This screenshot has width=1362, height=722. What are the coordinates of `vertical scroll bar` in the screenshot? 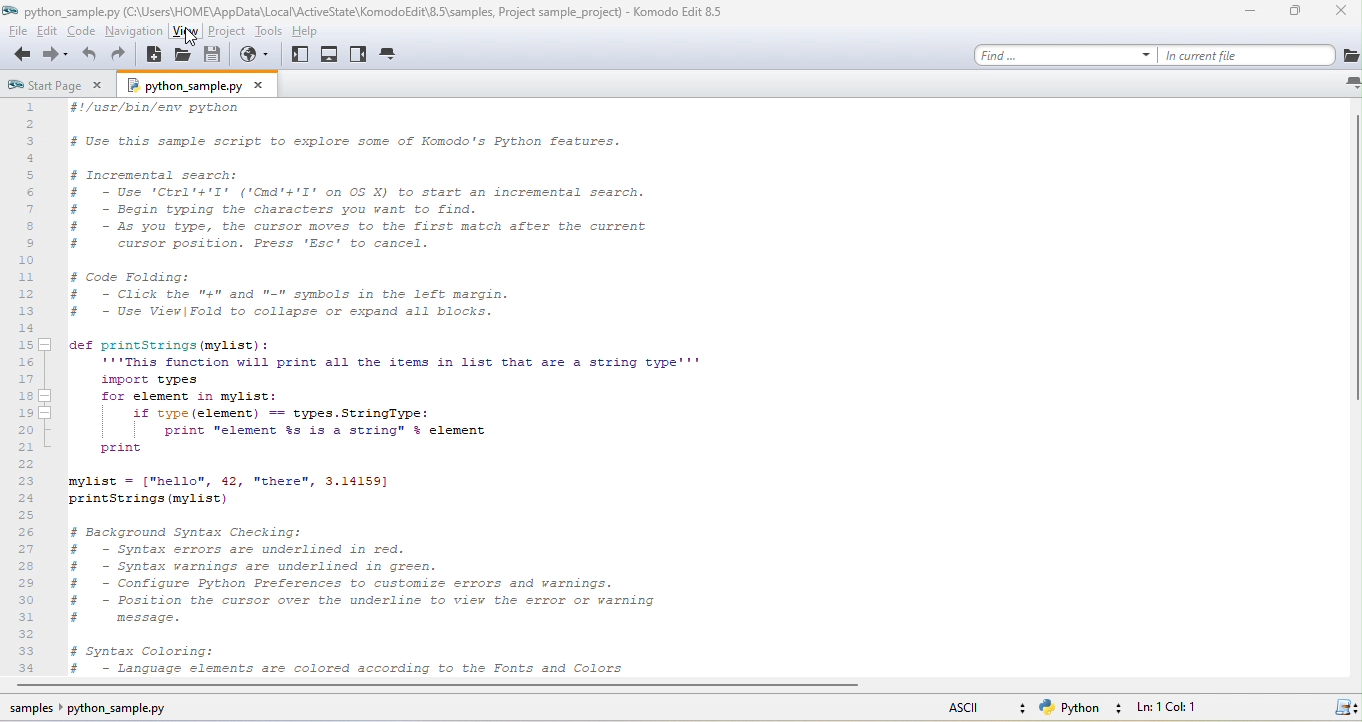 It's located at (1353, 263).